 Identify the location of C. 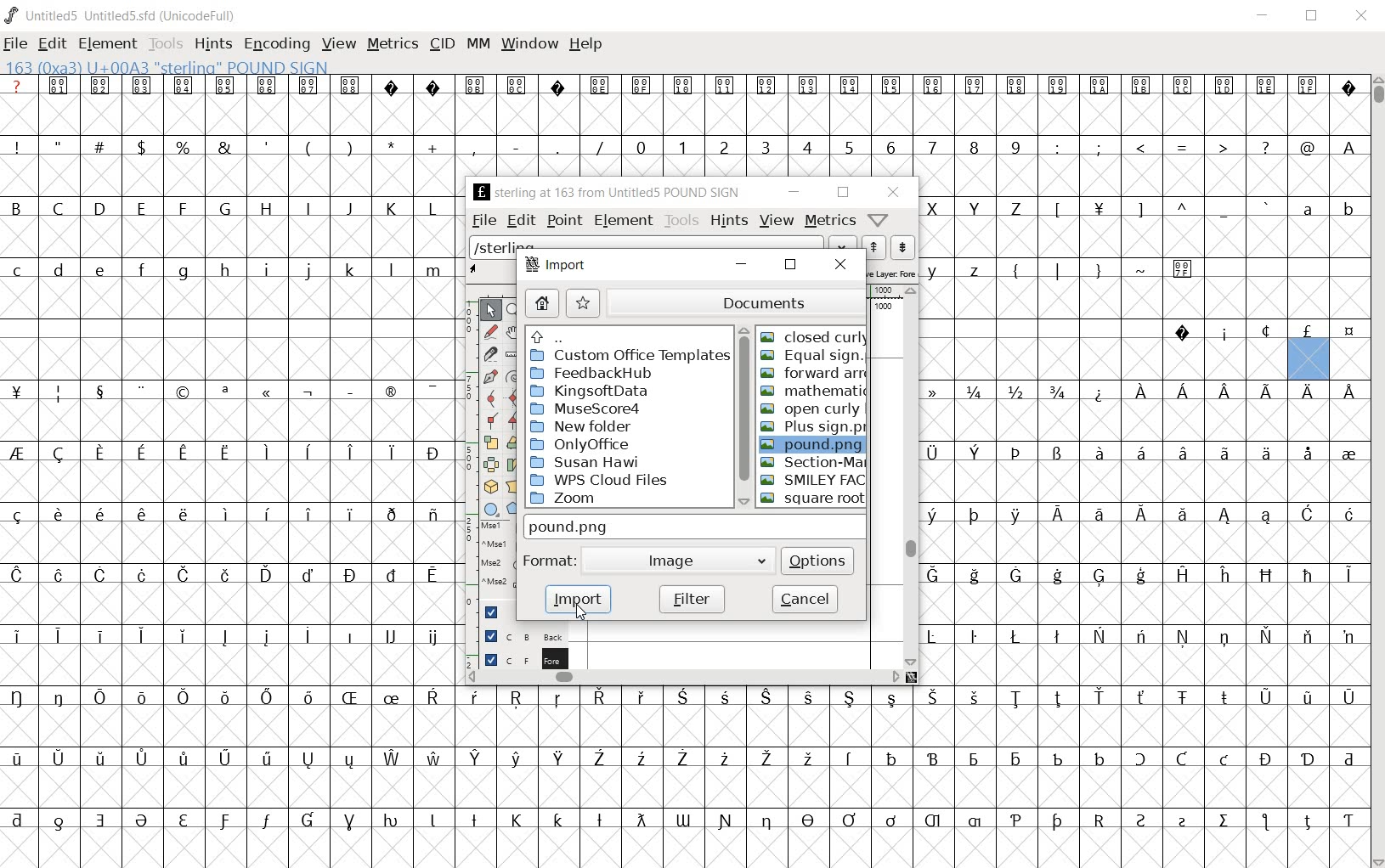
(60, 210).